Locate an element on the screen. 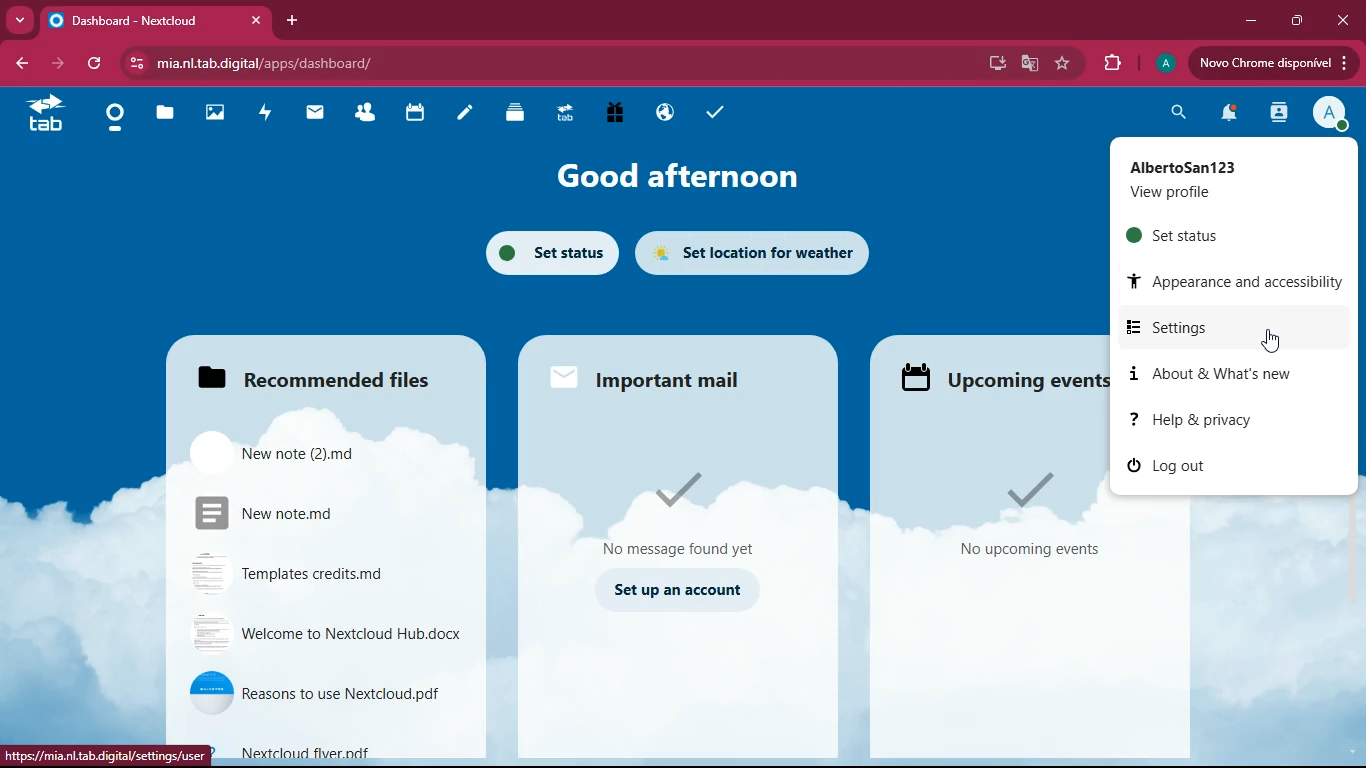 The width and height of the screenshot is (1366, 768). favorites is located at coordinates (1065, 65).